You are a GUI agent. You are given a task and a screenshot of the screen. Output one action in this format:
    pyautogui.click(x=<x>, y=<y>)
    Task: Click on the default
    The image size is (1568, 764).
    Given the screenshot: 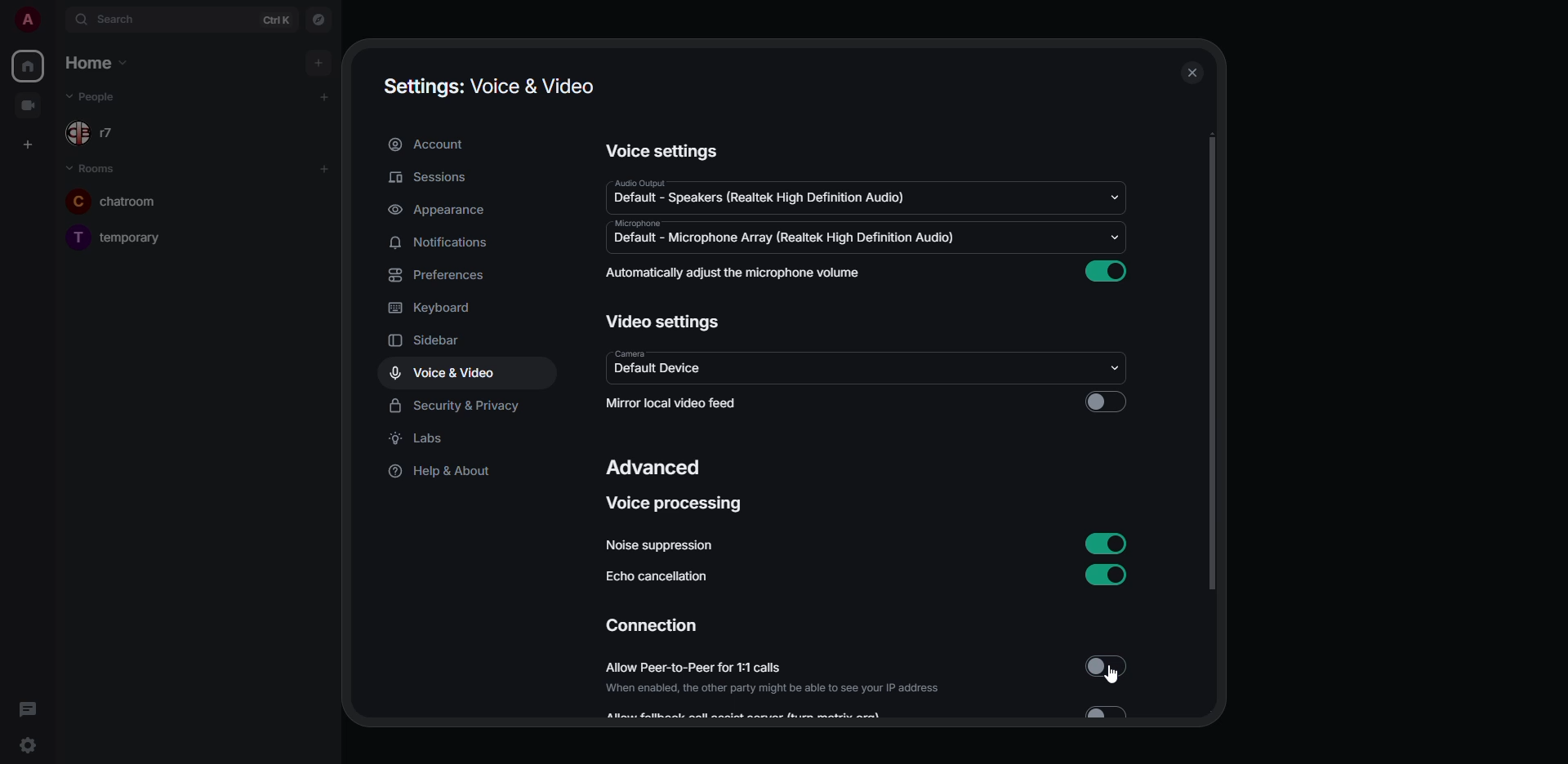 What is the action you would take?
    pyautogui.click(x=768, y=198)
    